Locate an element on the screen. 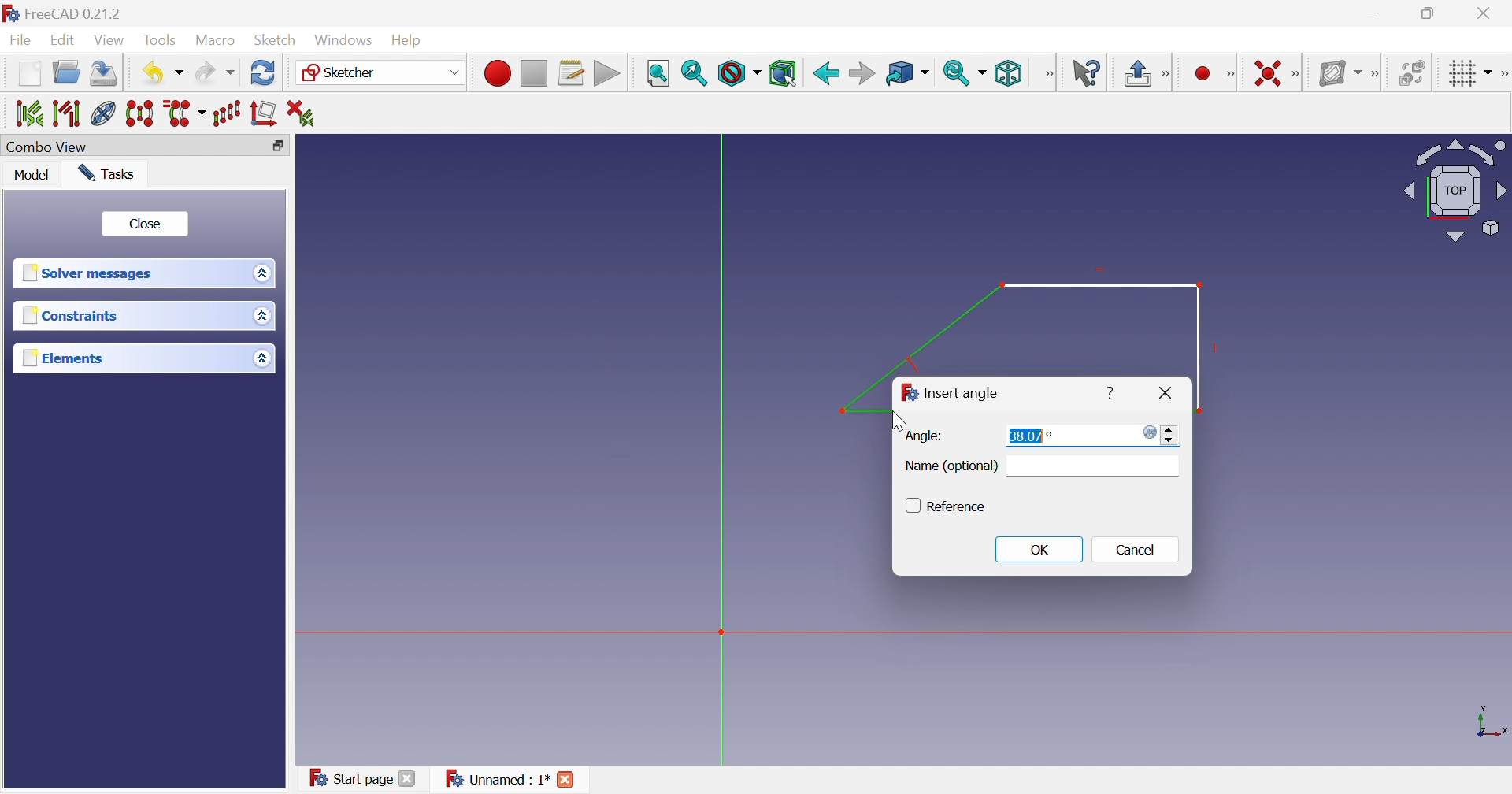 This screenshot has width=1512, height=794. Select associated constraints is located at coordinates (23, 113).